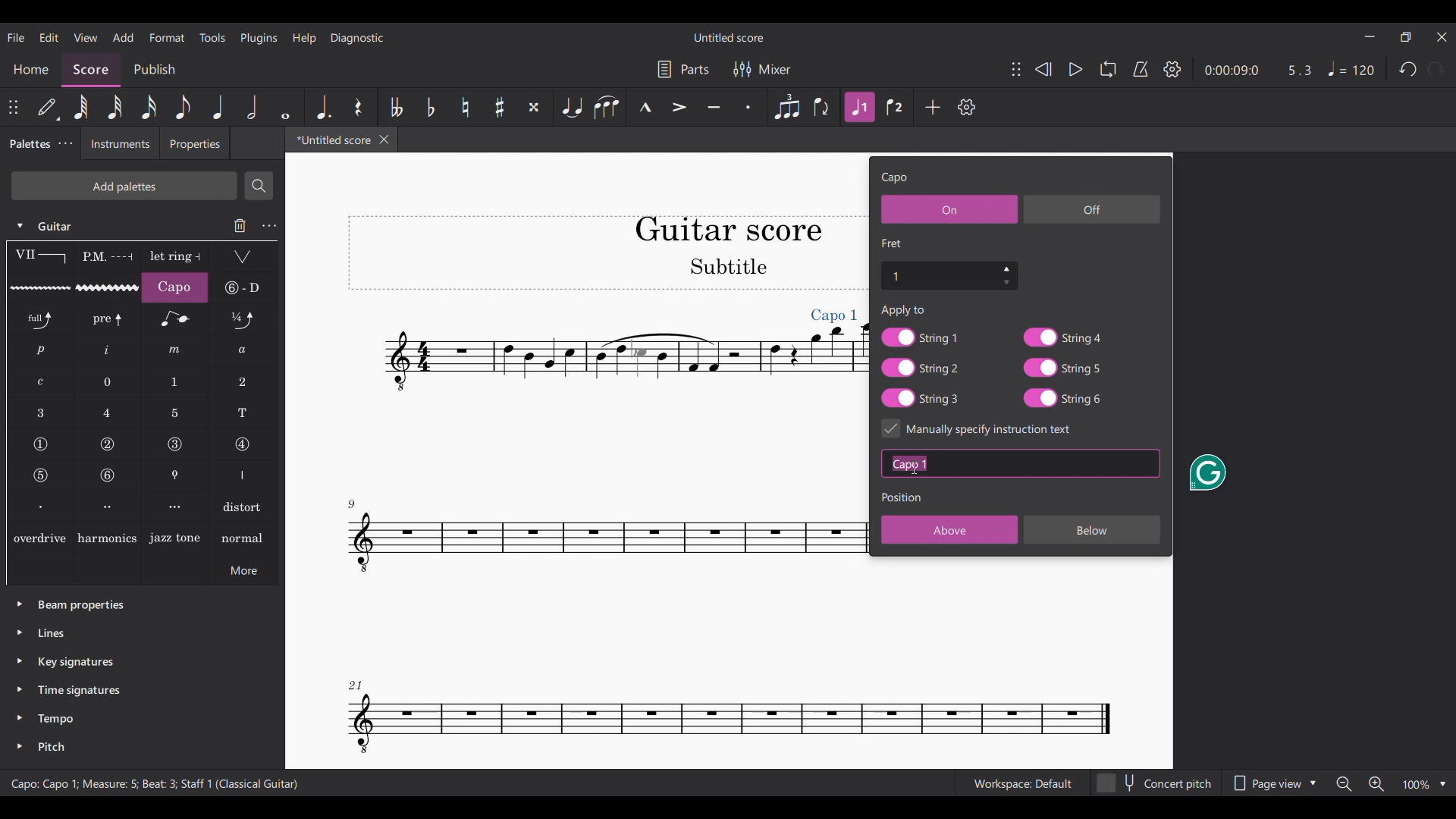  Describe the element at coordinates (910, 463) in the screenshot. I see `Typing in instructions` at that location.